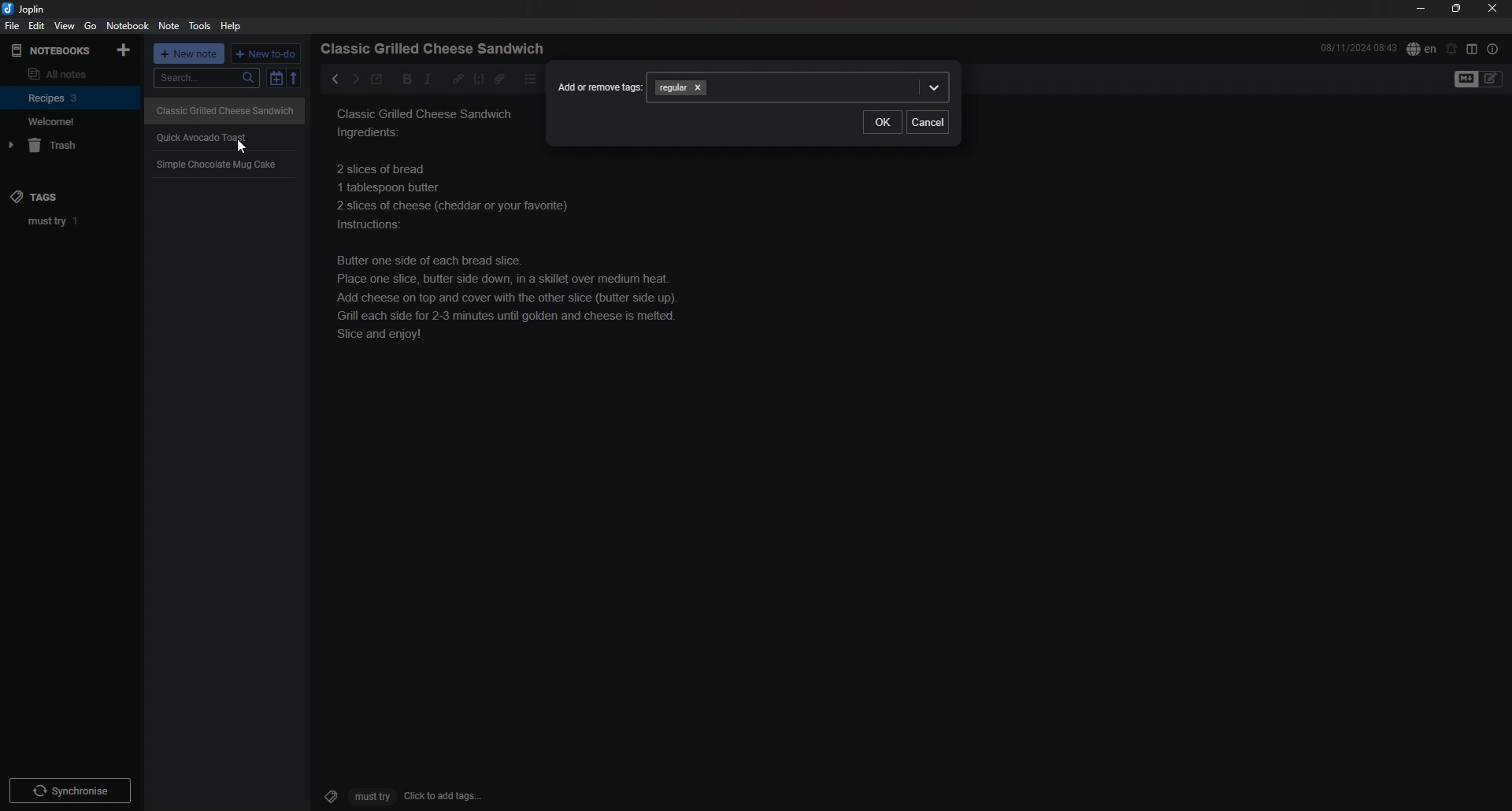 The height and width of the screenshot is (811, 1512). I want to click on toggle editor layout, so click(1473, 49).